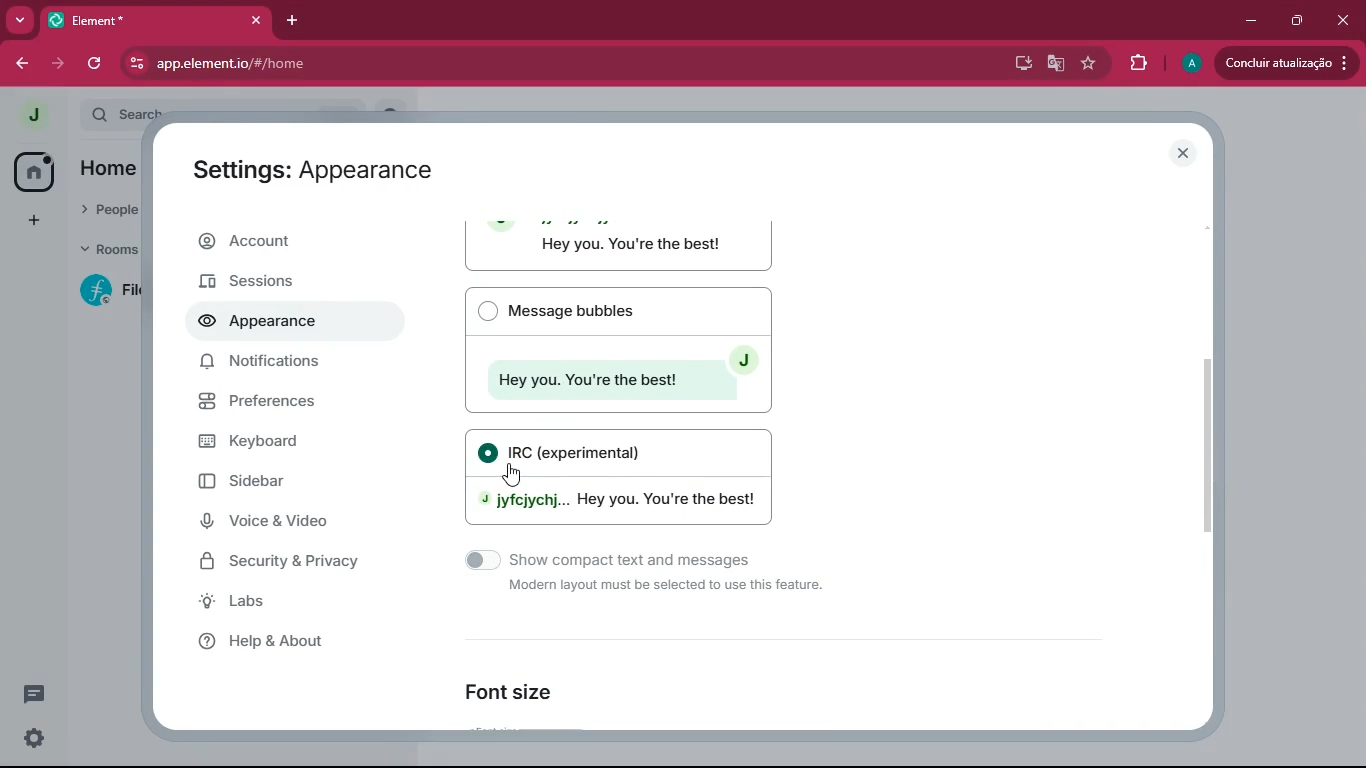  I want to click on desktop, so click(1020, 64).